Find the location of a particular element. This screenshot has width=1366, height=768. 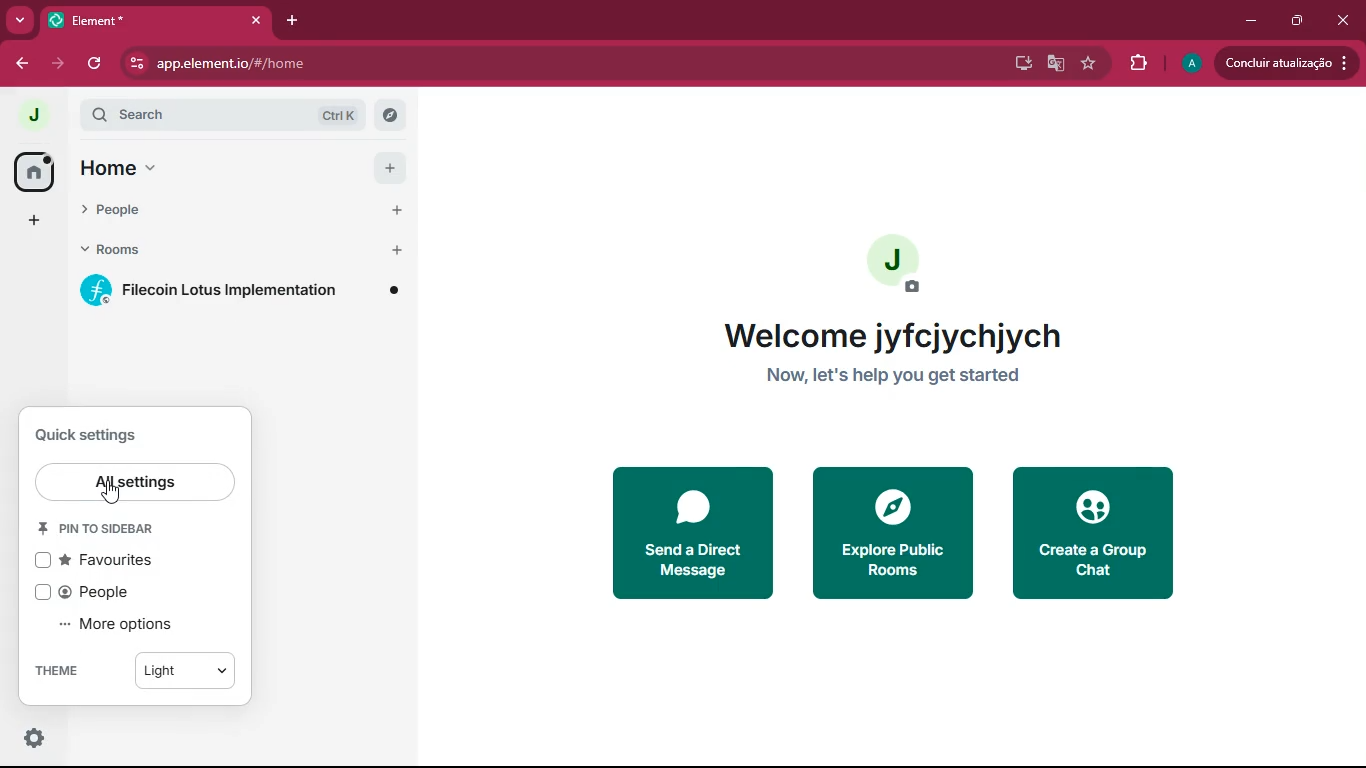

room is located at coordinates (243, 291).